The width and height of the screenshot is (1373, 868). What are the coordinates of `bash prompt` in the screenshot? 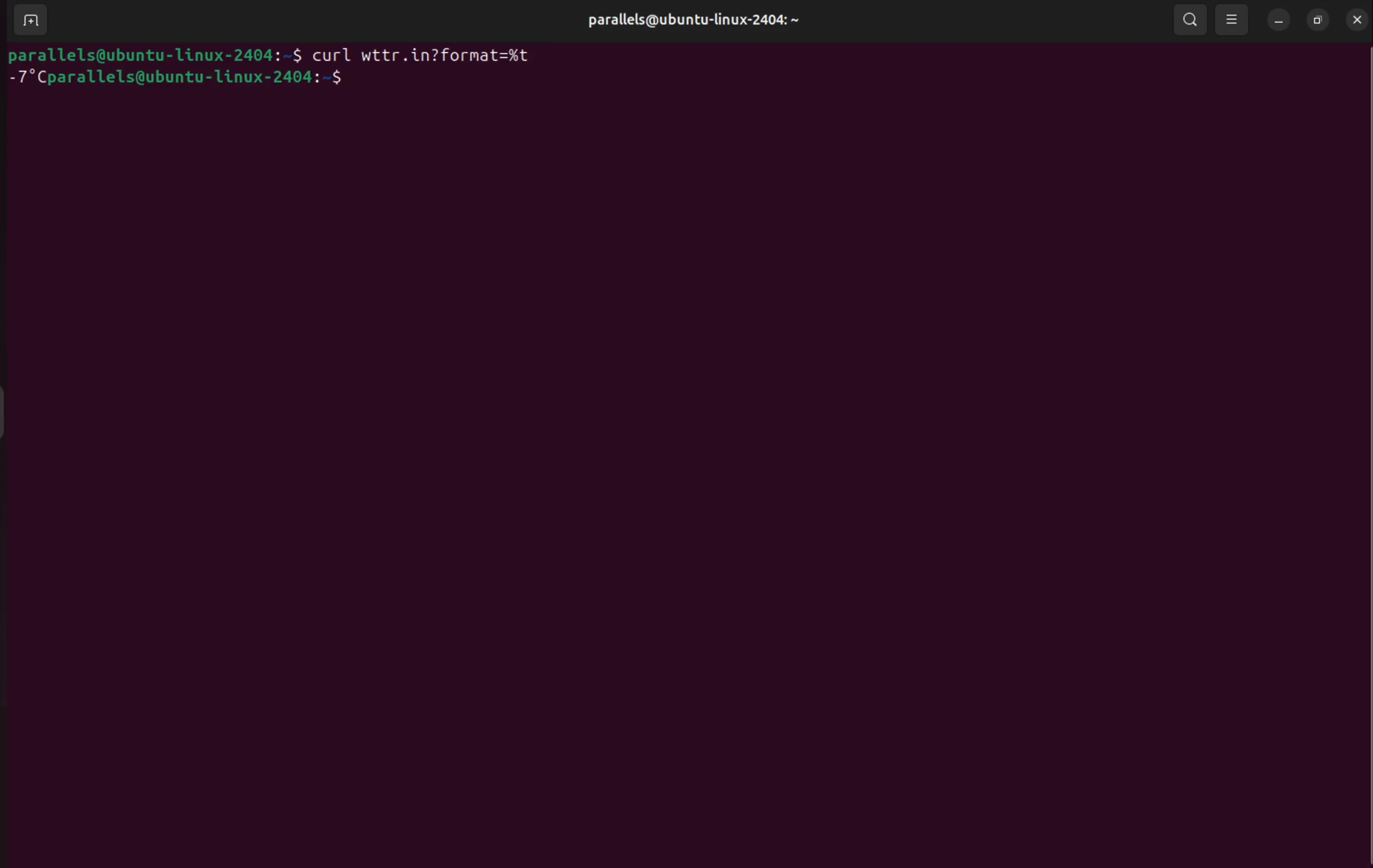 It's located at (195, 78).